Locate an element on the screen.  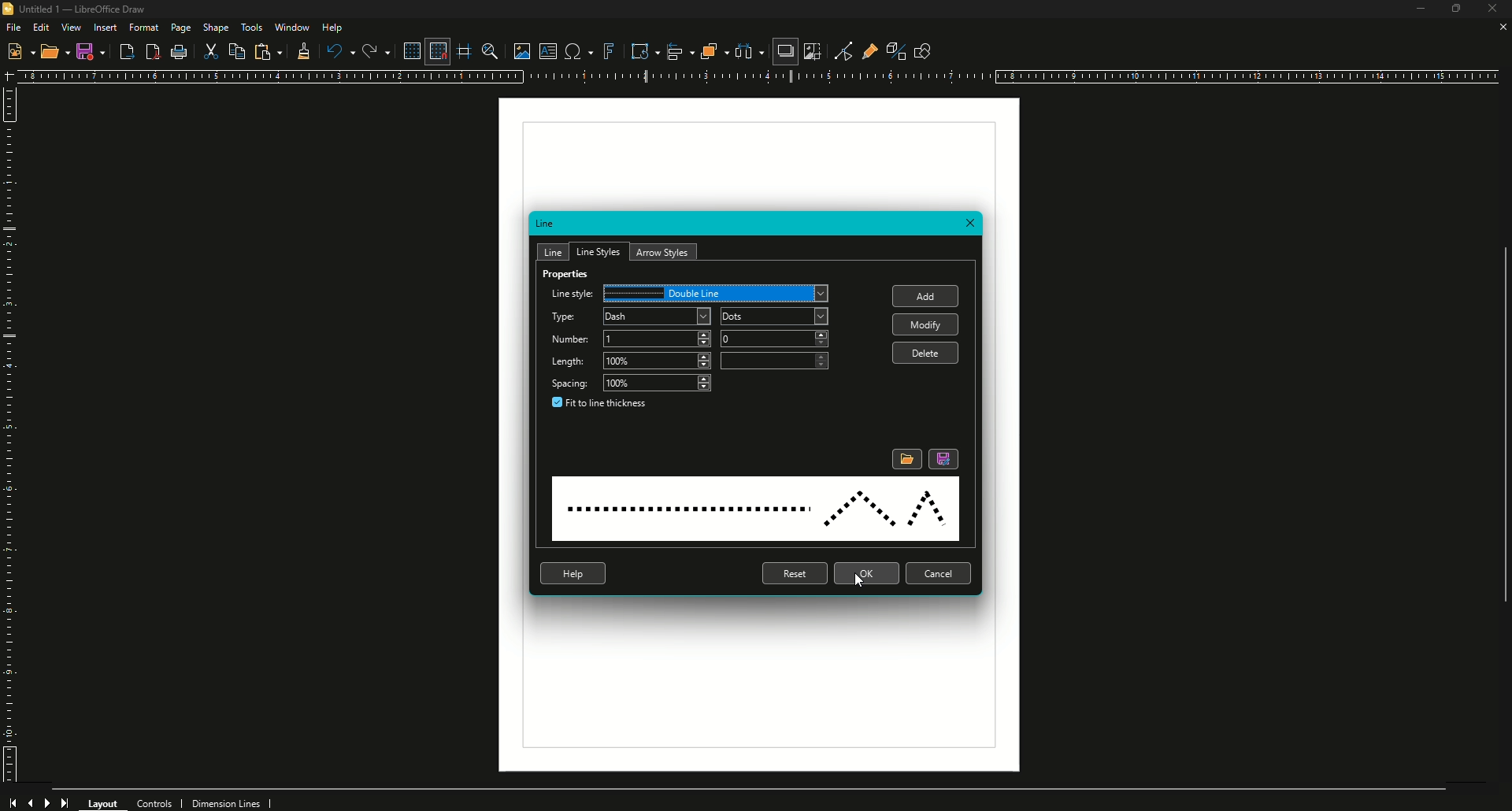
Open is located at coordinates (55, 54).